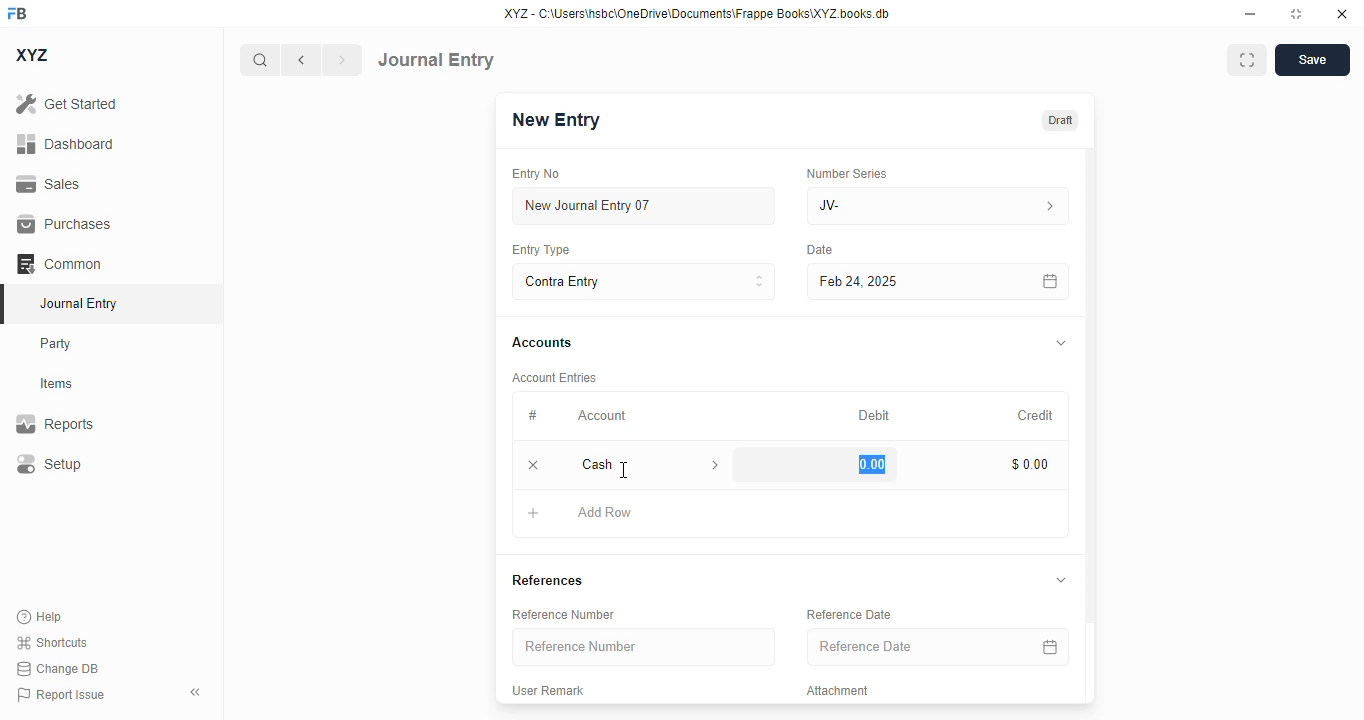 The height and width of the screenshot is (720, 1364). Describe the element at coordinates (1342, 14) in the screenshot. I see `close` at that location.